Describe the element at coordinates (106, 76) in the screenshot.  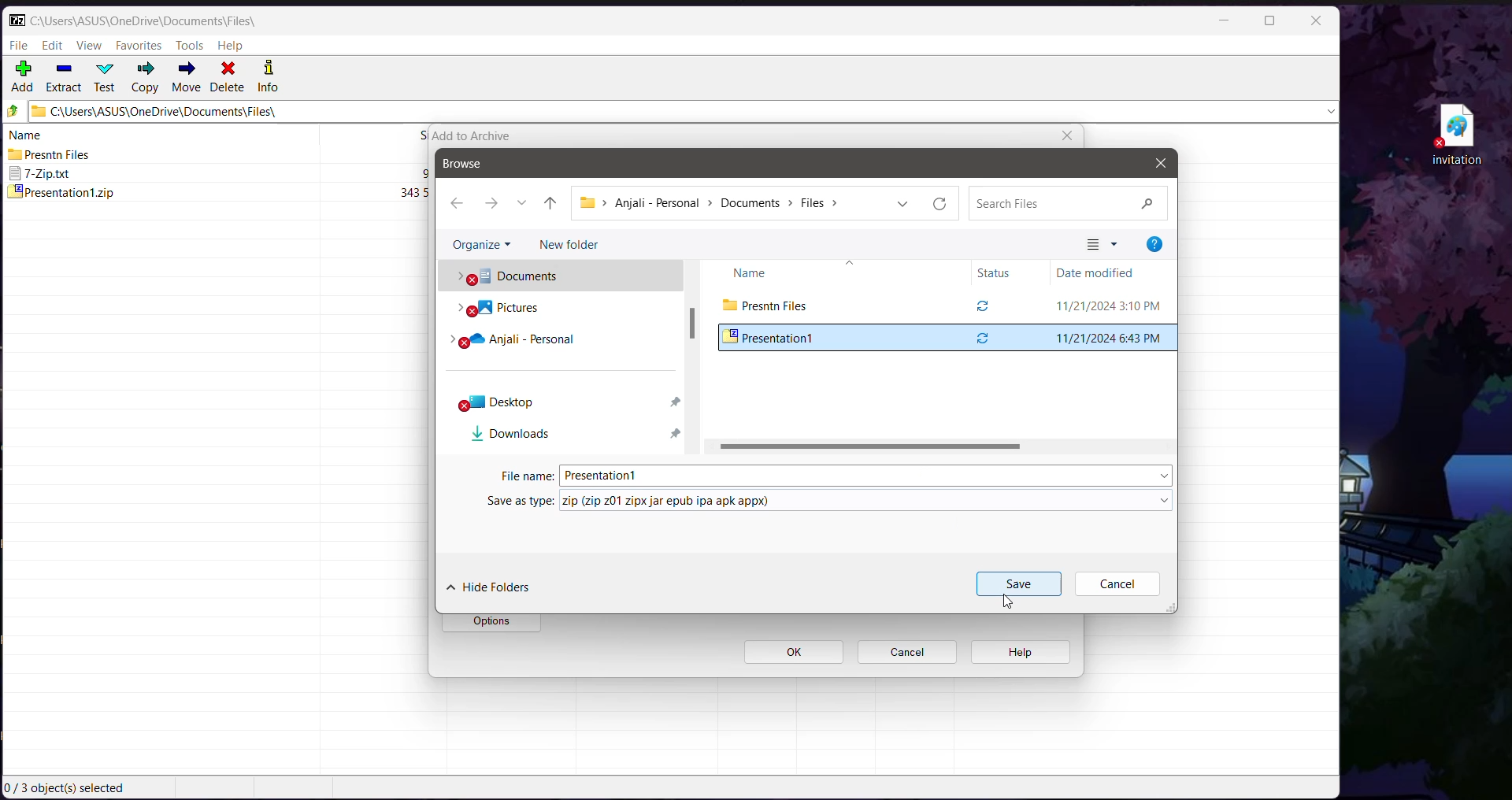
I see `Test` at that location.